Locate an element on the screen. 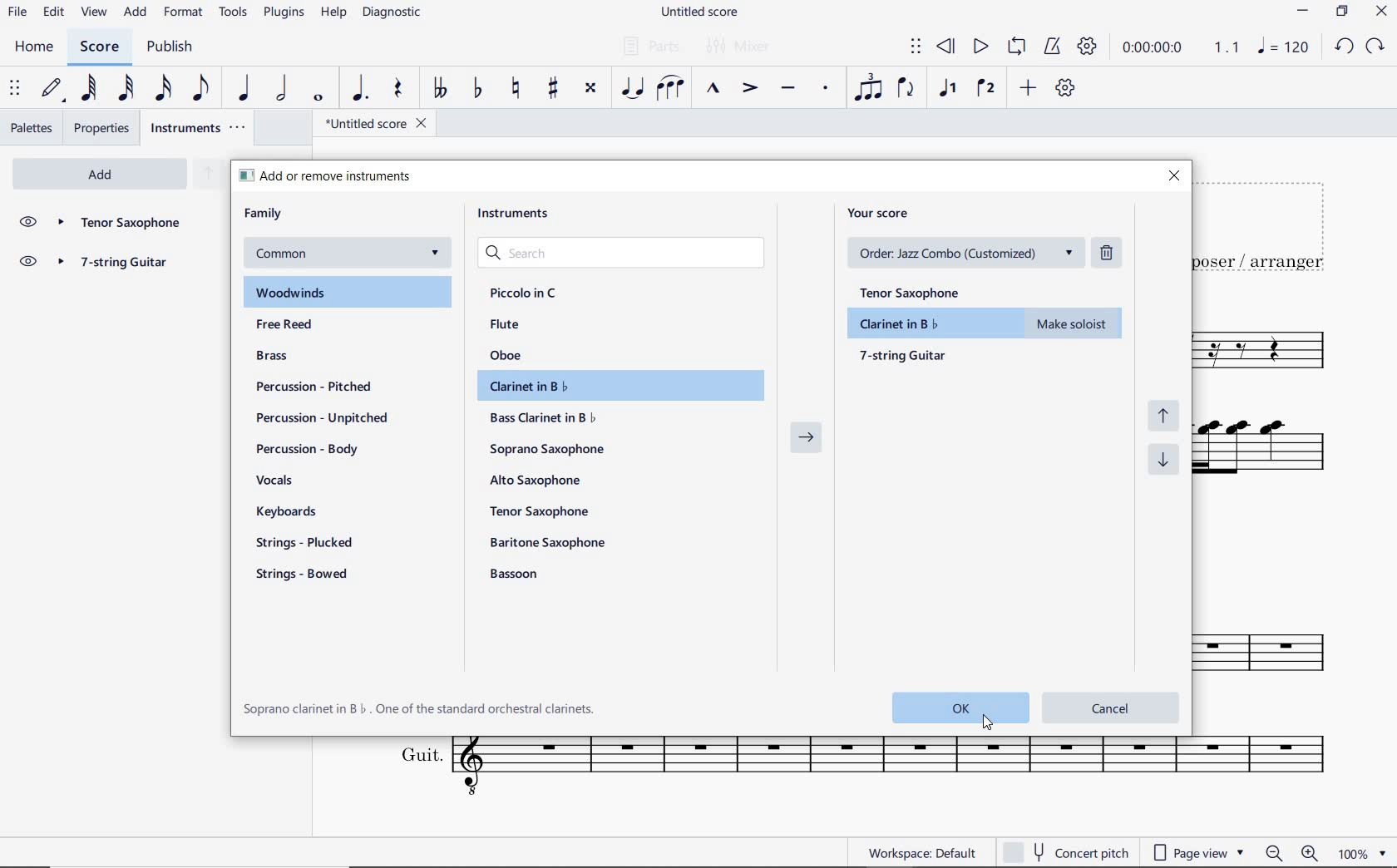  woodwinds is located at coordinates (349, 293).